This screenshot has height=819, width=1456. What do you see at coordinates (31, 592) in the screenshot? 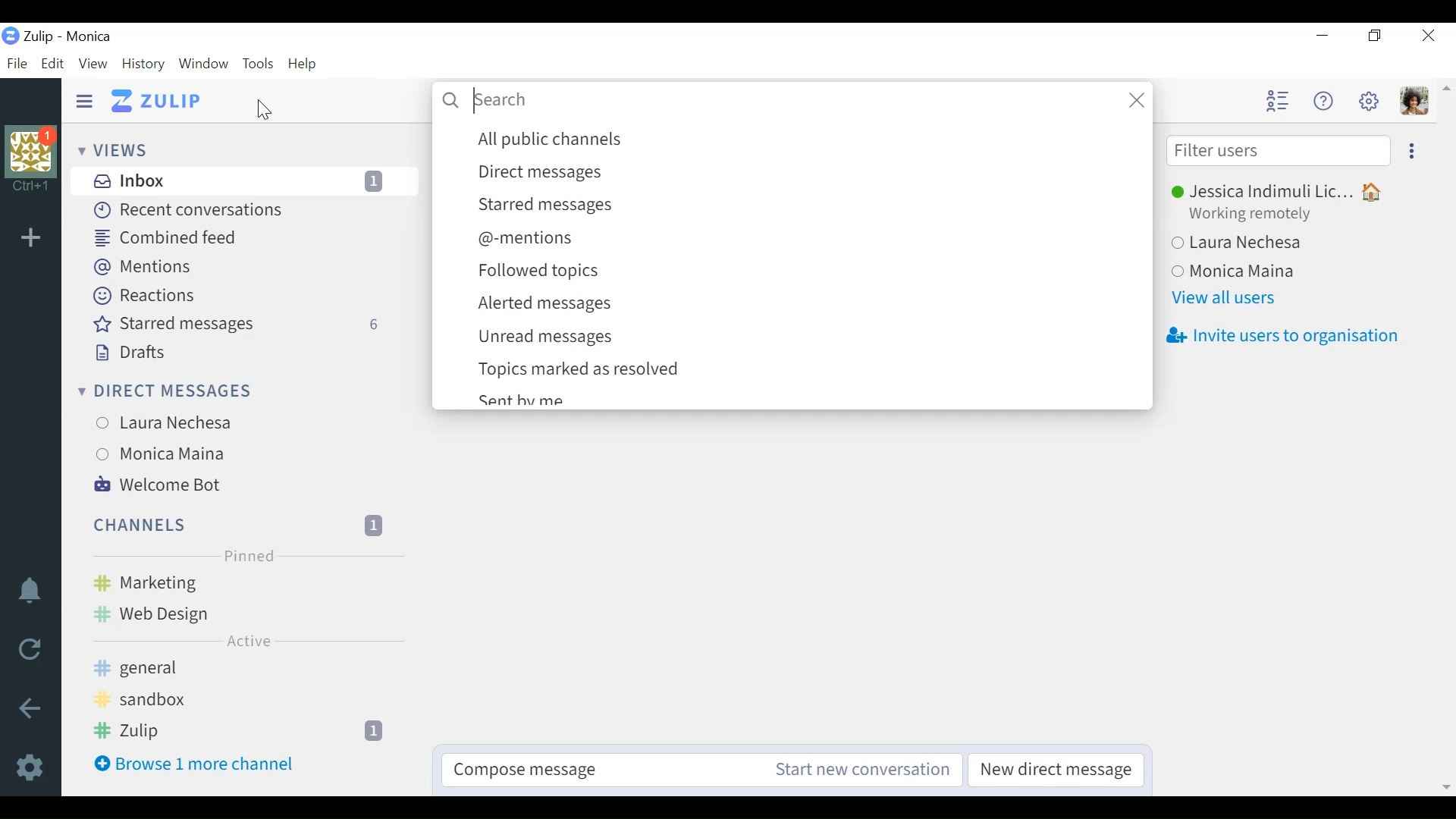
I see `notifications` at bounding box center [31, 592].